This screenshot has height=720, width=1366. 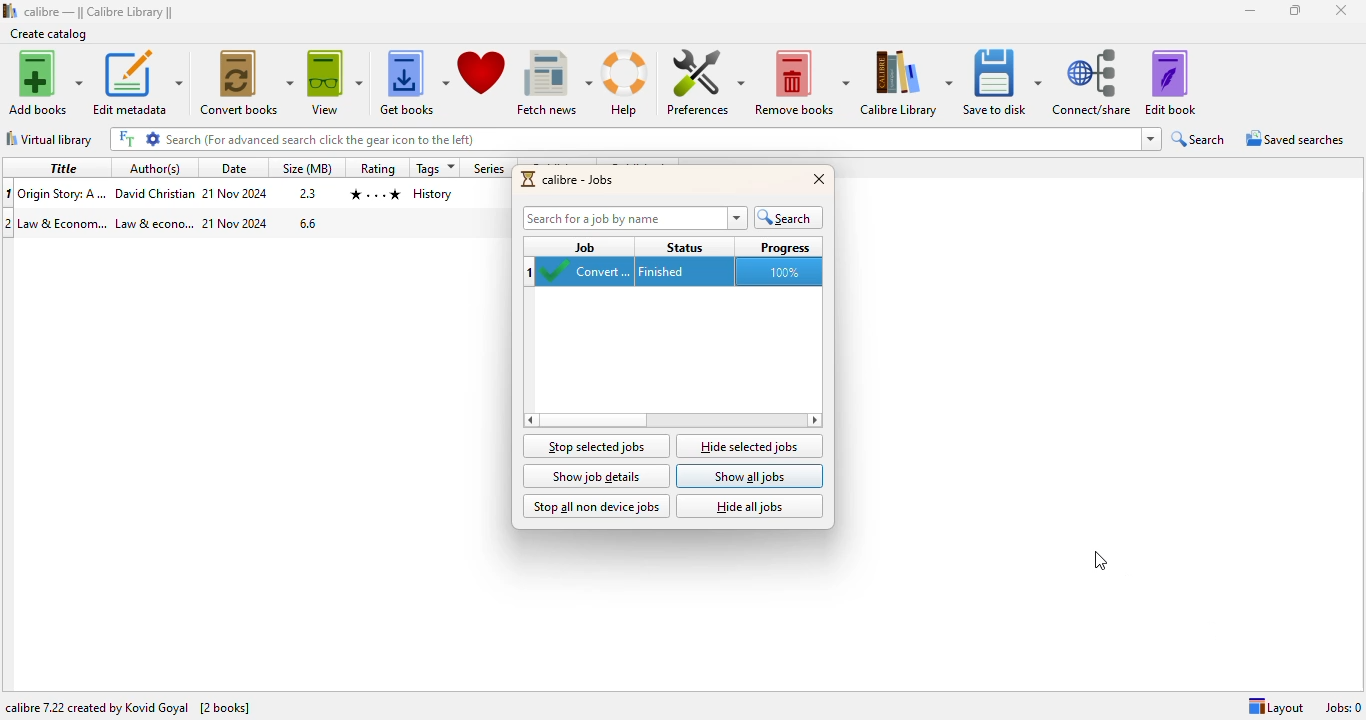 What do you see at coordinates (783, 272) in the screenshot?
I see `100%` at bounding box center [783, 272].